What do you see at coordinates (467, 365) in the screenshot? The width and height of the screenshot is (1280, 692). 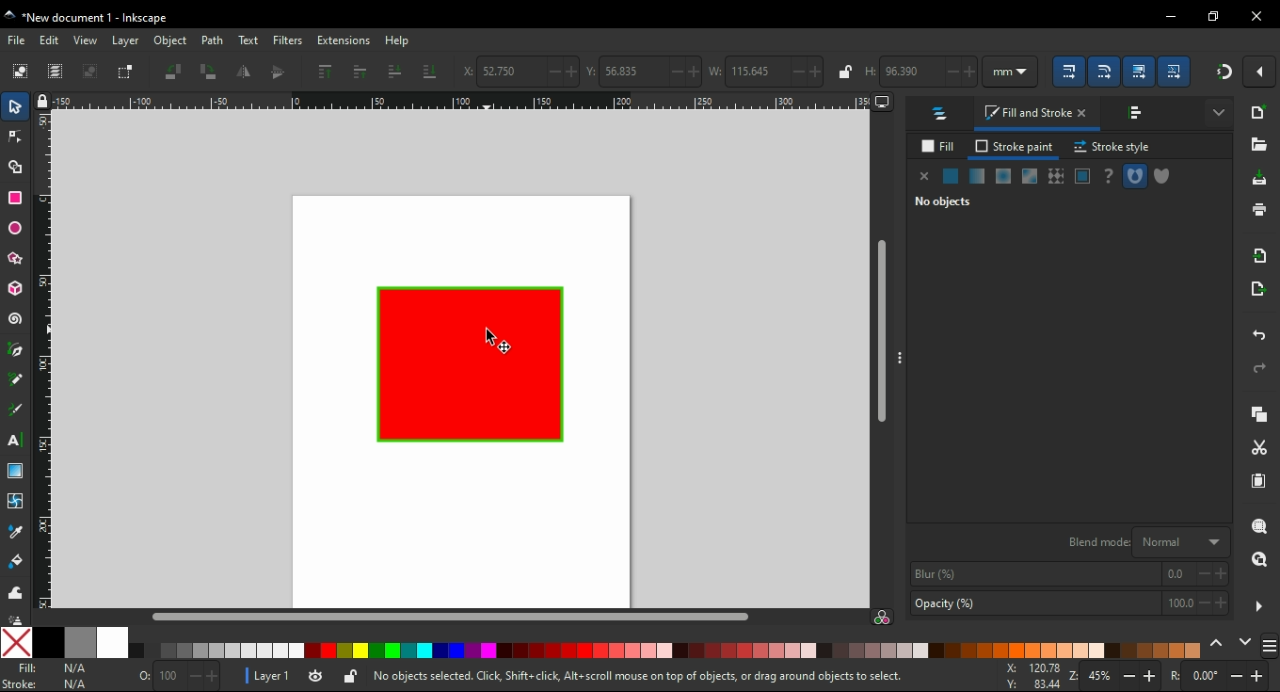 I see `shape` at bounding box center [467, 365].